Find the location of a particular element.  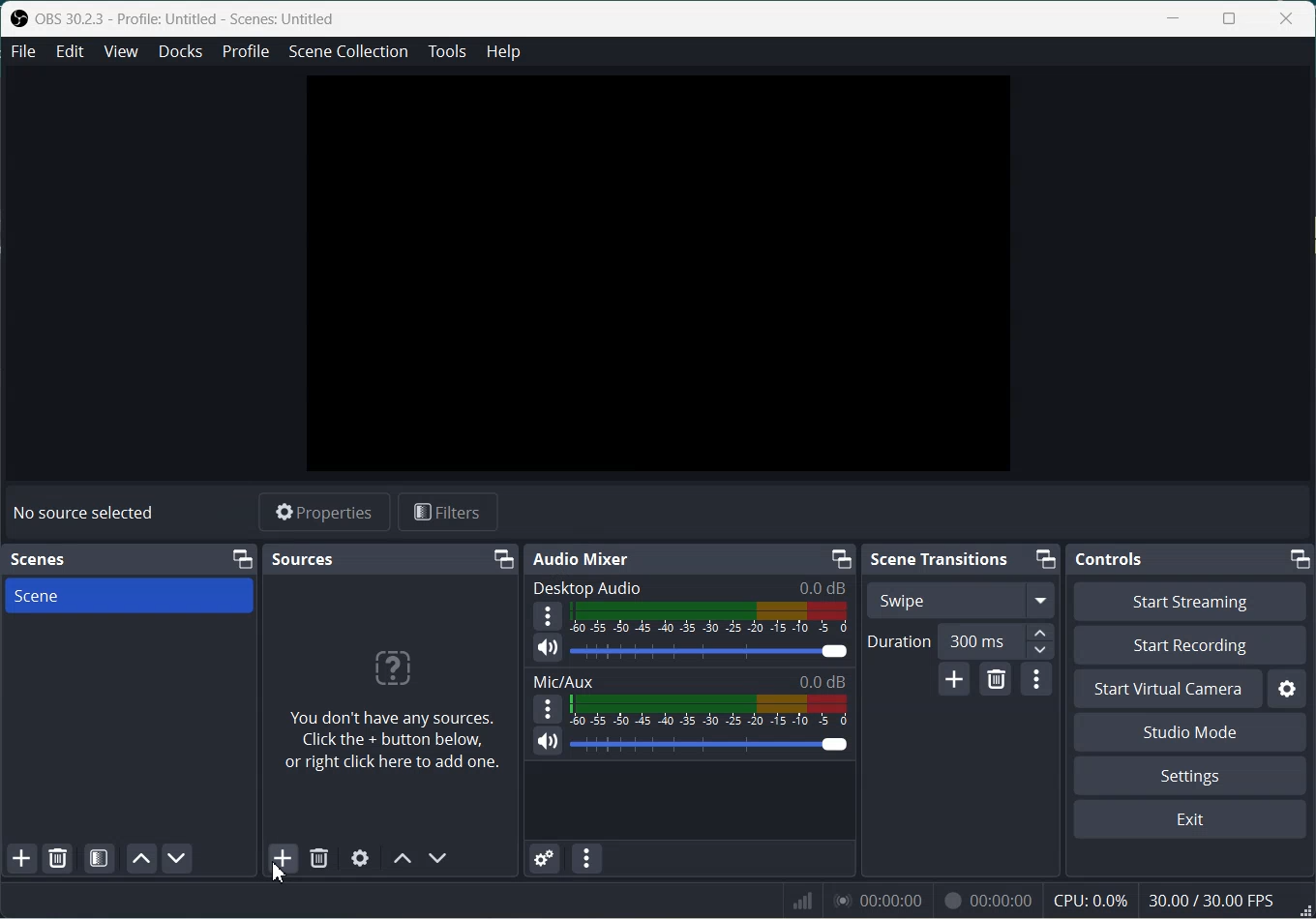

Signals is located at coordinates (795, 898).